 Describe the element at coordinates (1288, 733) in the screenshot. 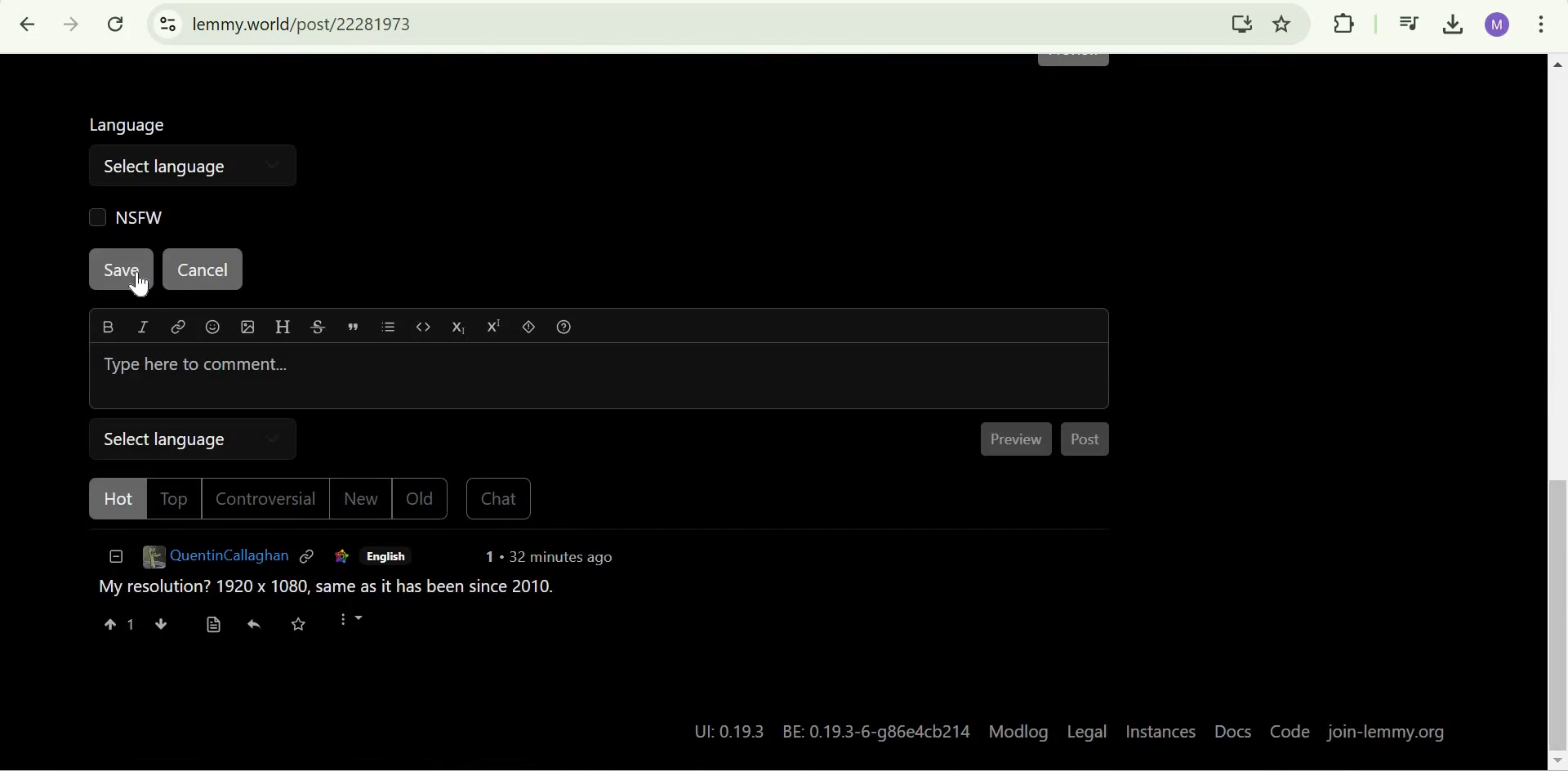

I see `Code` at that location.